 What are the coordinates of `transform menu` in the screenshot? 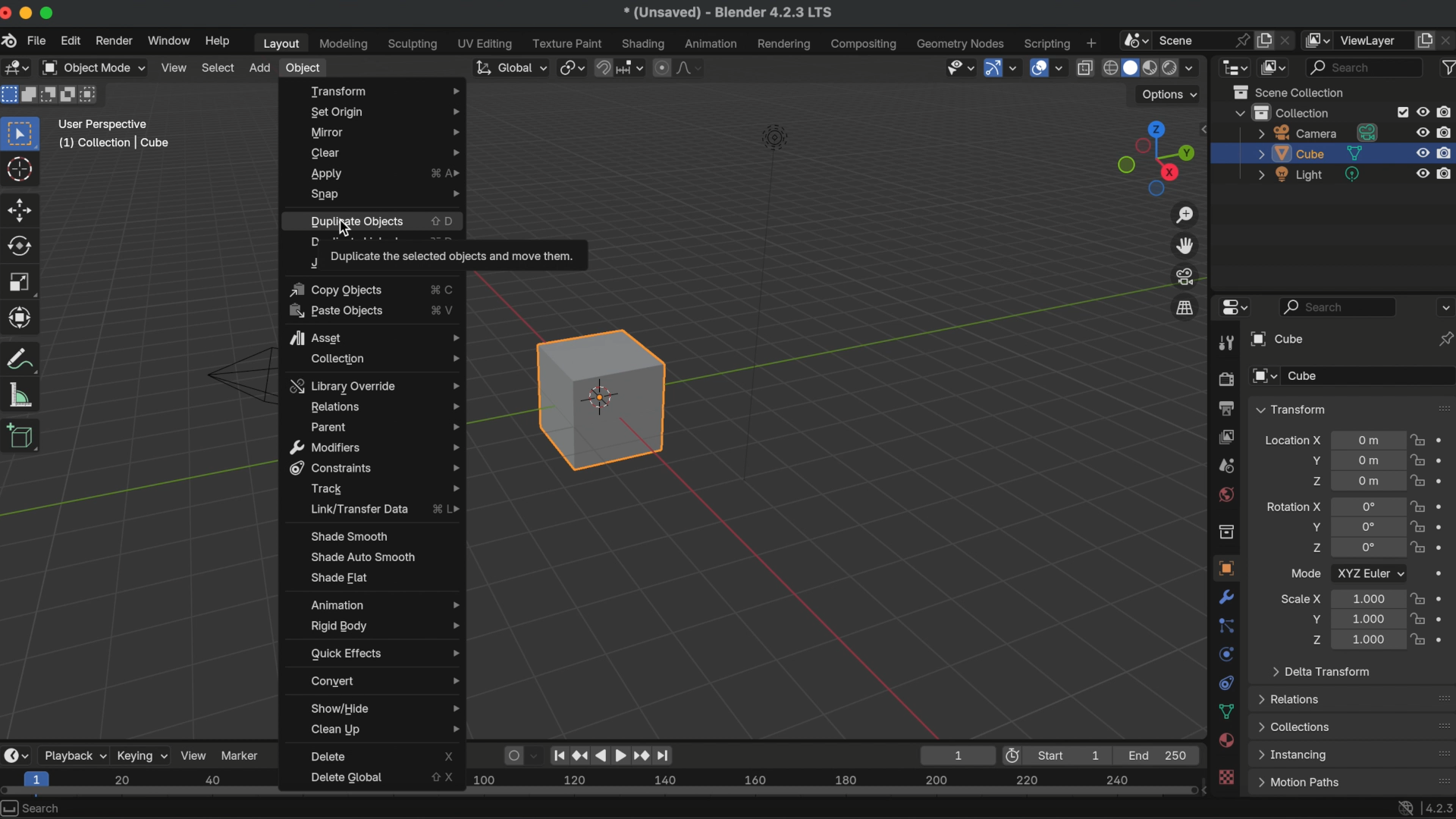 It's located at (383, 89).